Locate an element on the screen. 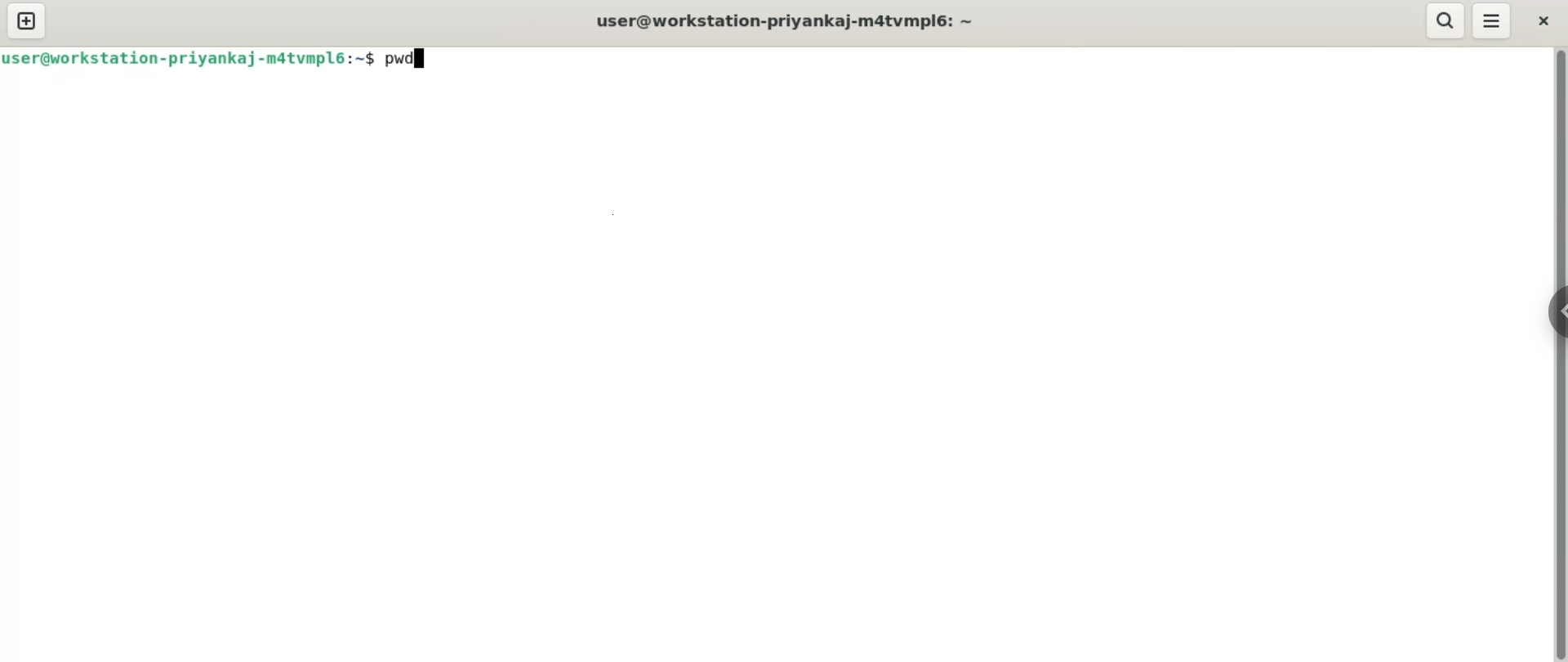 This screenshot has height=662, width=1568. pwd is located at coordinates (408, 56).